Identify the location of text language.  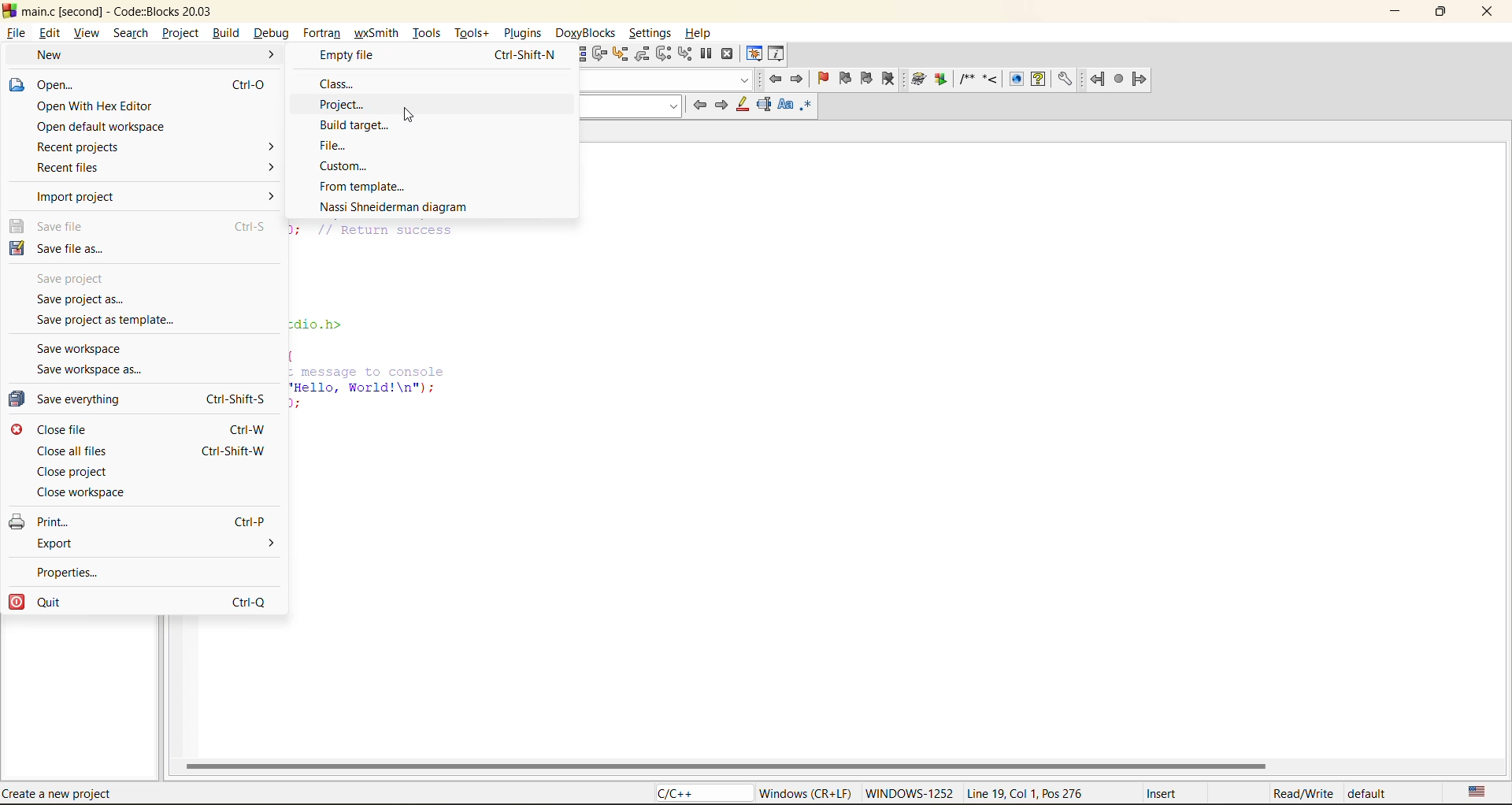
(1477, 793).